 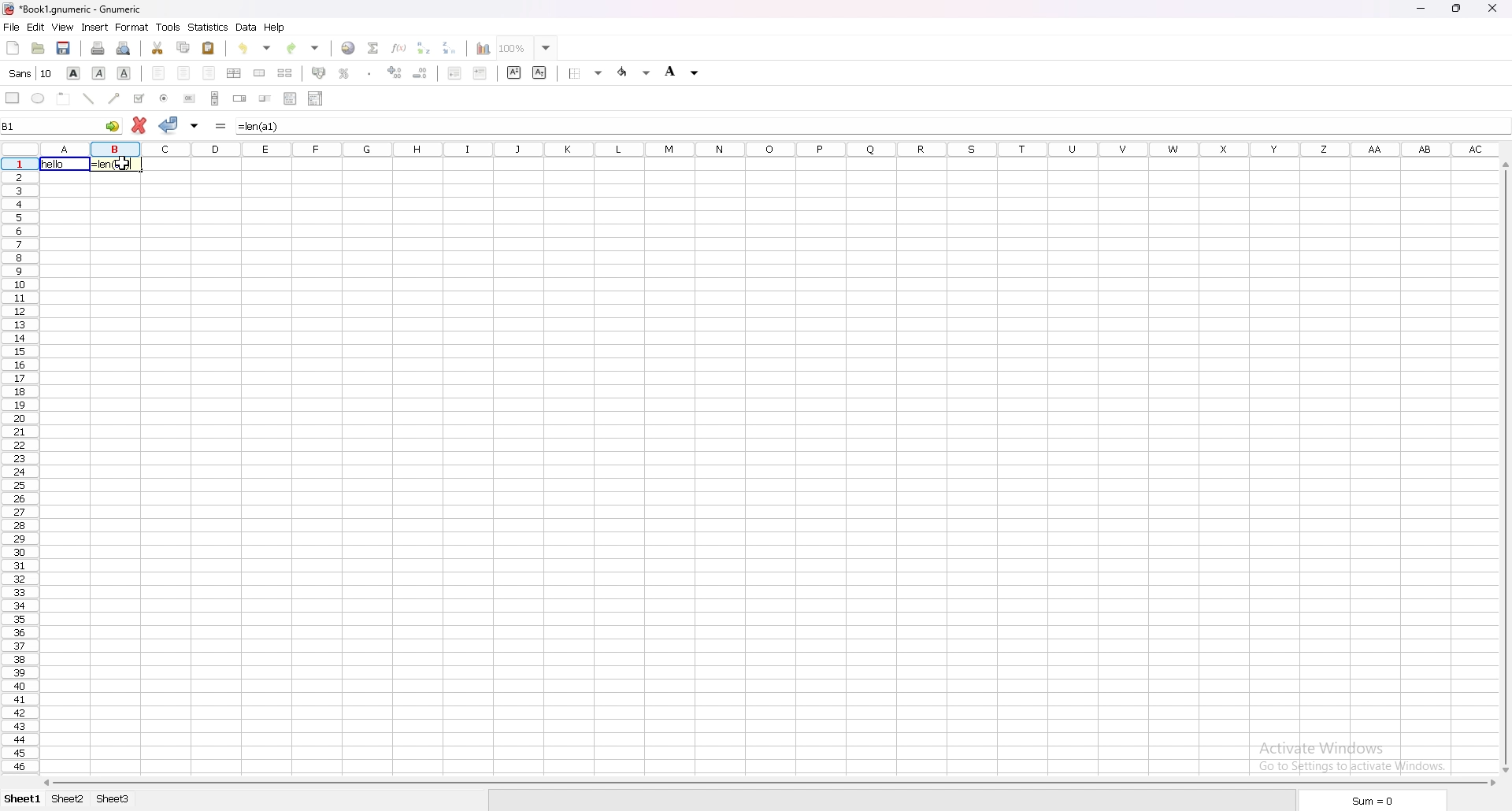 I want to click on foreground, so click(x=683, y=72).